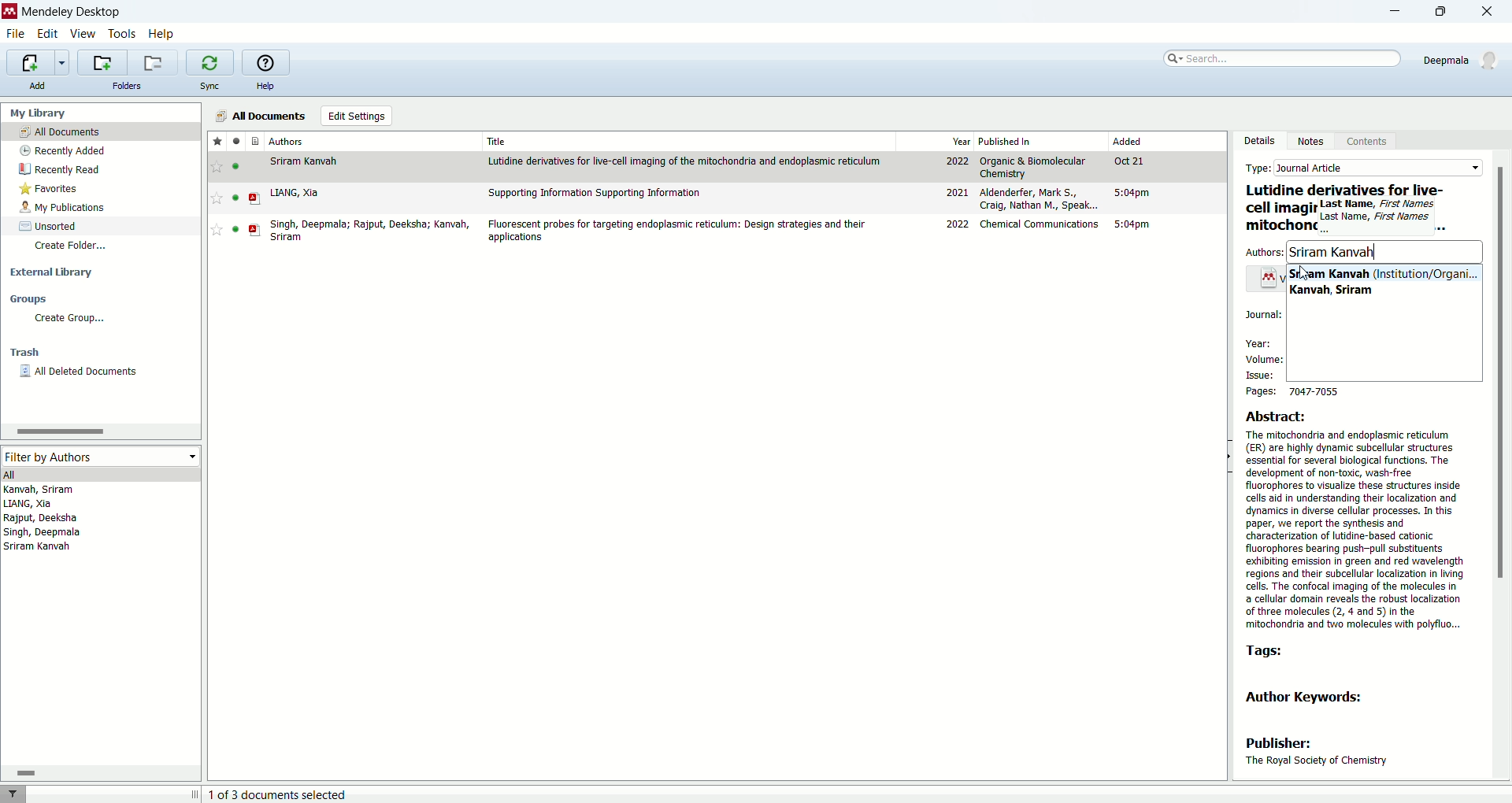 Image resolution: width=1512 pixels, height=803 pixels. Describe the element at coordinates (1275, 60) in the screenshot. I see `search` at that location.